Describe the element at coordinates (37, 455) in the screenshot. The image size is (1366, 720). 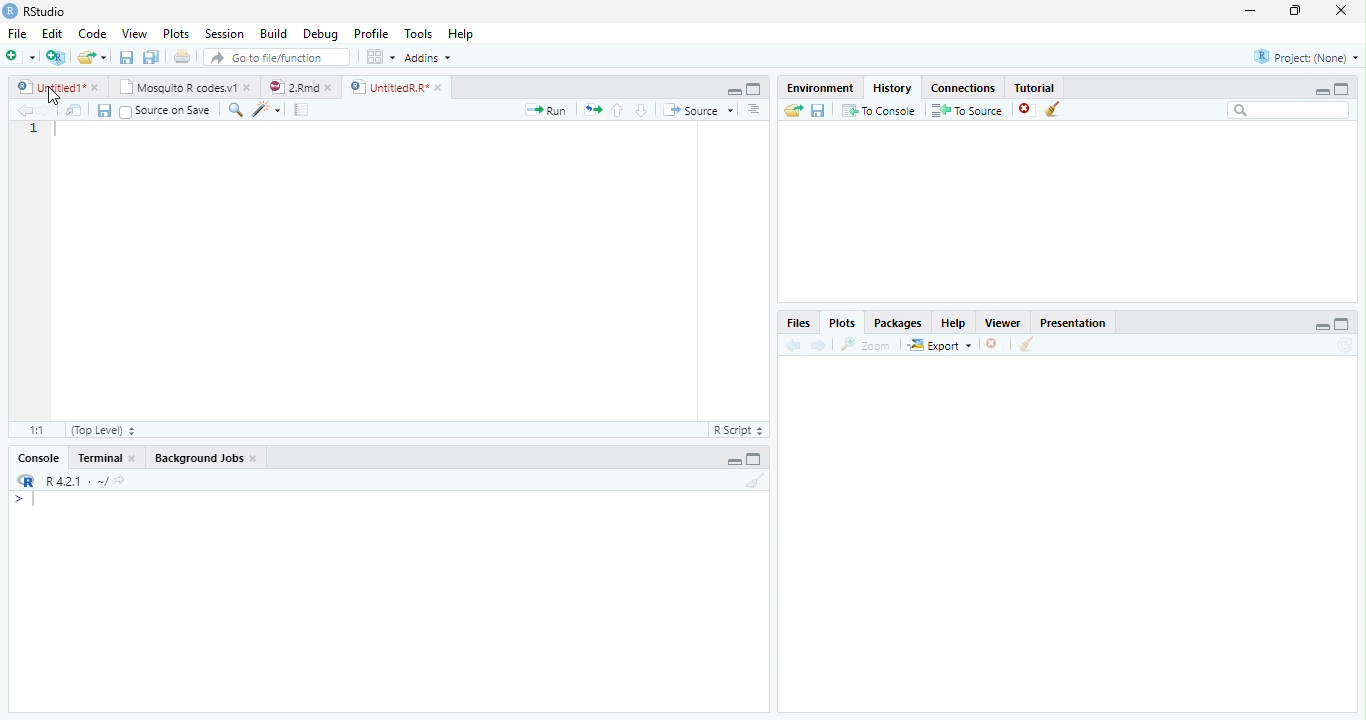
I see `Console` at that location.